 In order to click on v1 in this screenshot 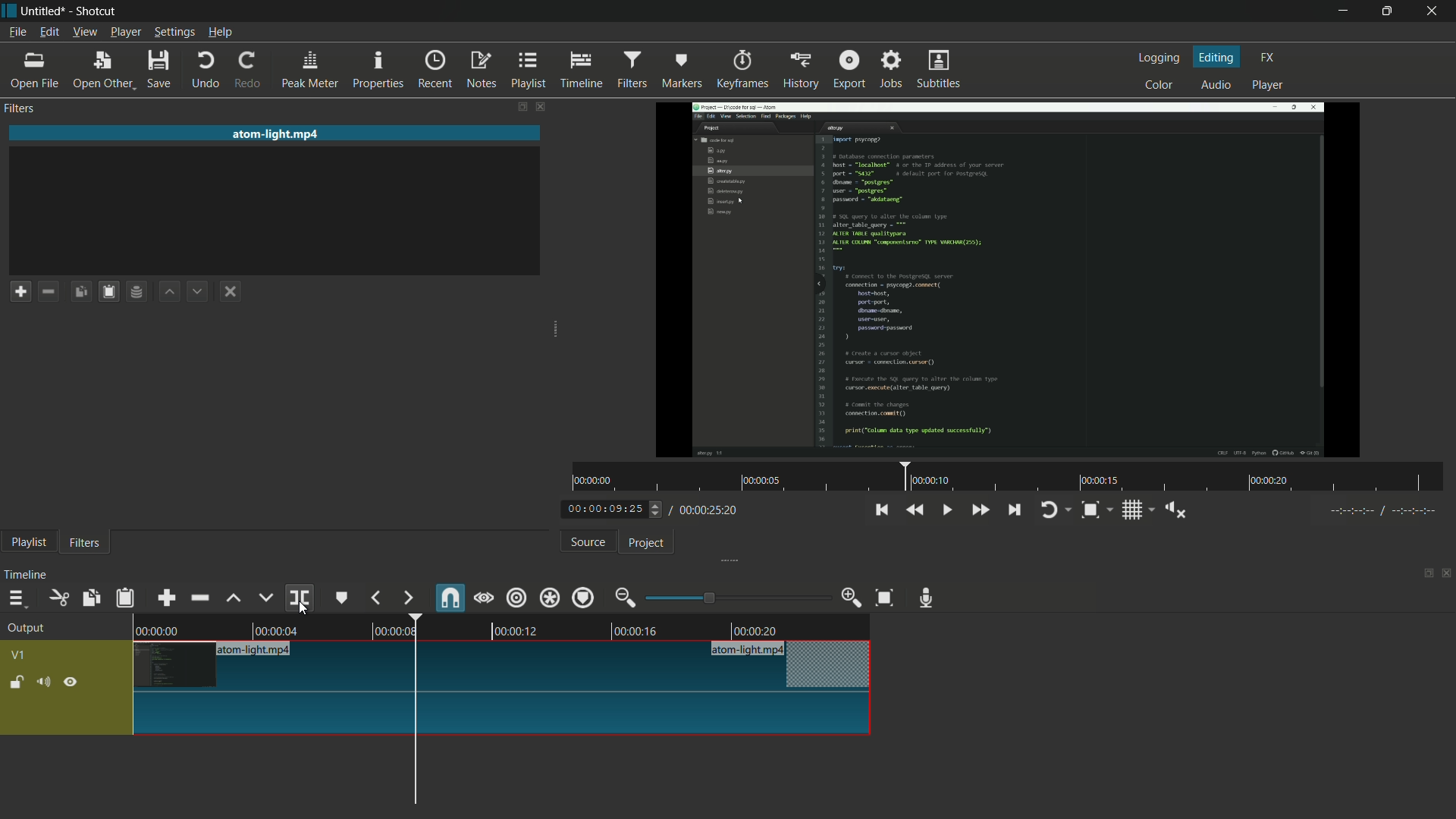, I will do `click(17, 655)`.